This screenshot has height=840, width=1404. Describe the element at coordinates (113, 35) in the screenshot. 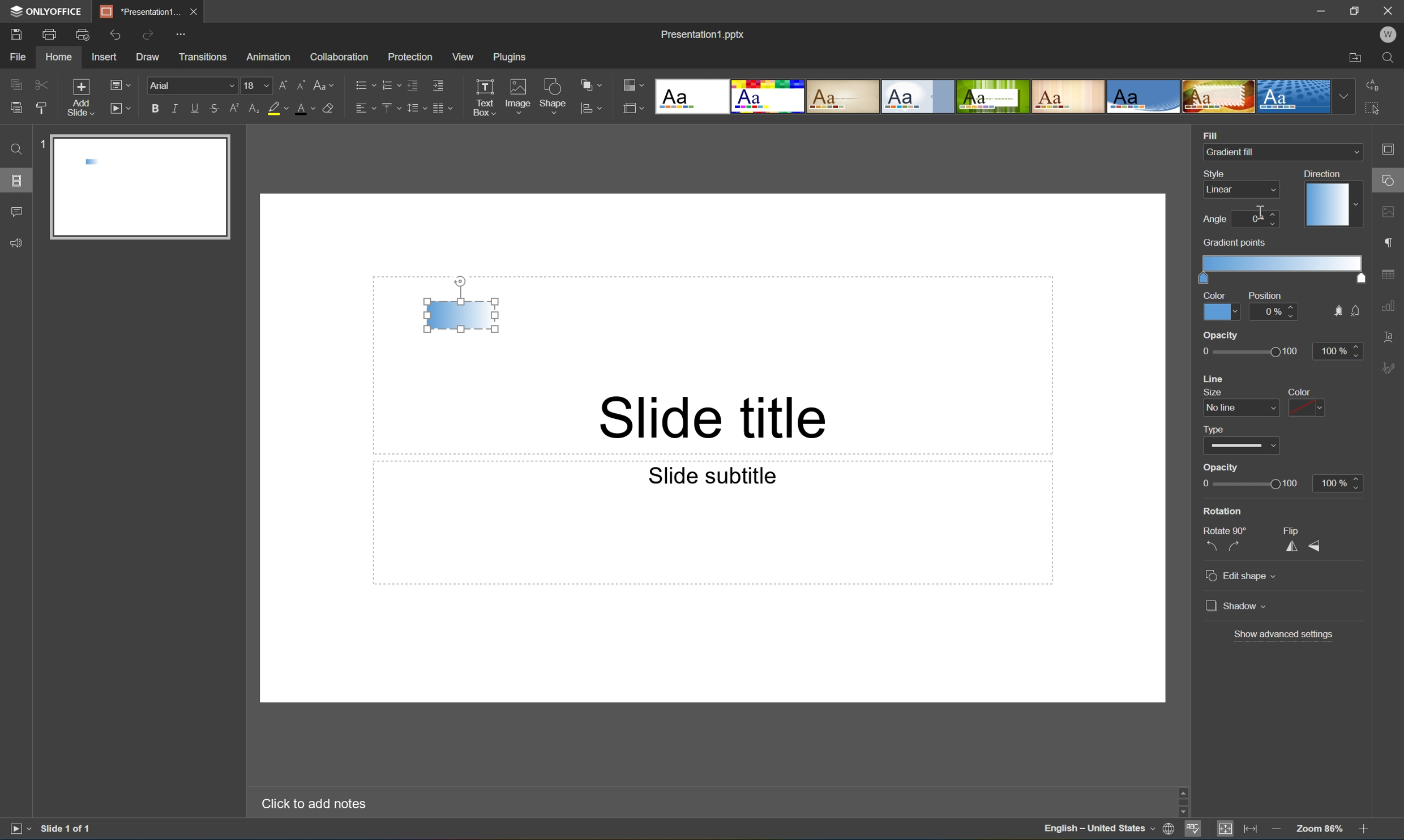

I see `Undo` at that location.